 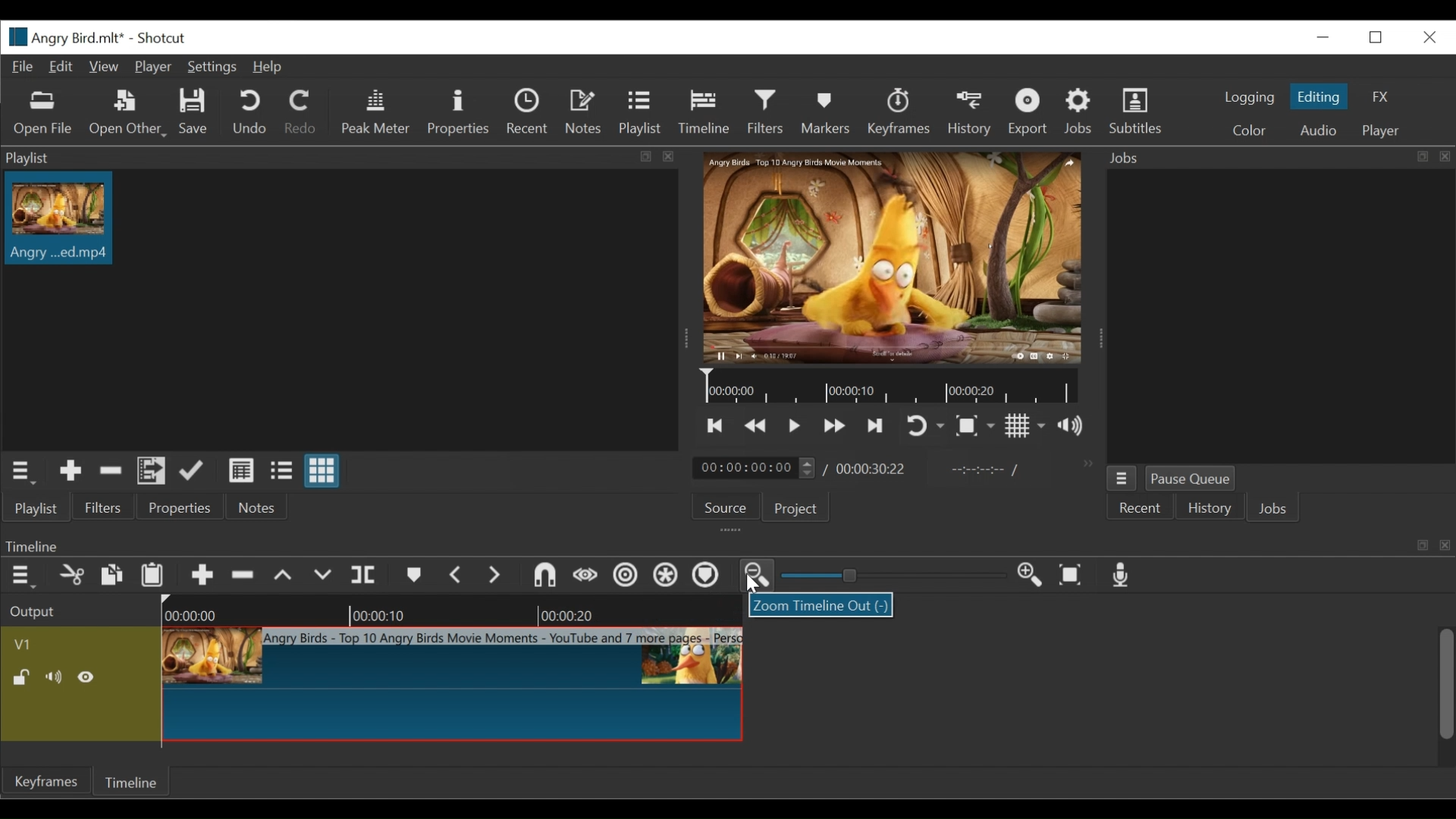 I want to click on , so click(x=1250, y=99).